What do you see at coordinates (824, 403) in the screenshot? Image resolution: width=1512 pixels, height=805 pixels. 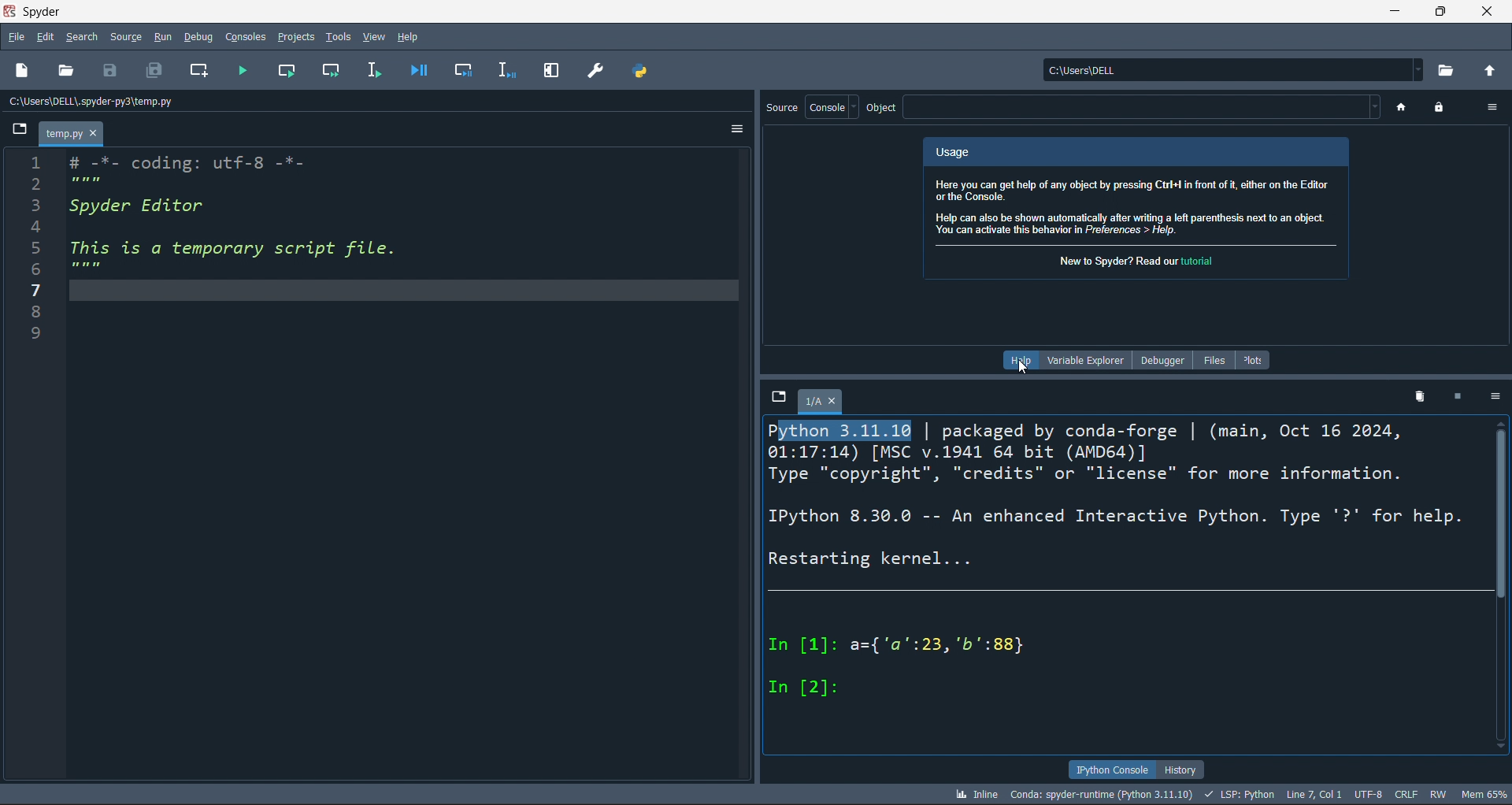 I see `1/A tab` at bounding box center [824, 403].